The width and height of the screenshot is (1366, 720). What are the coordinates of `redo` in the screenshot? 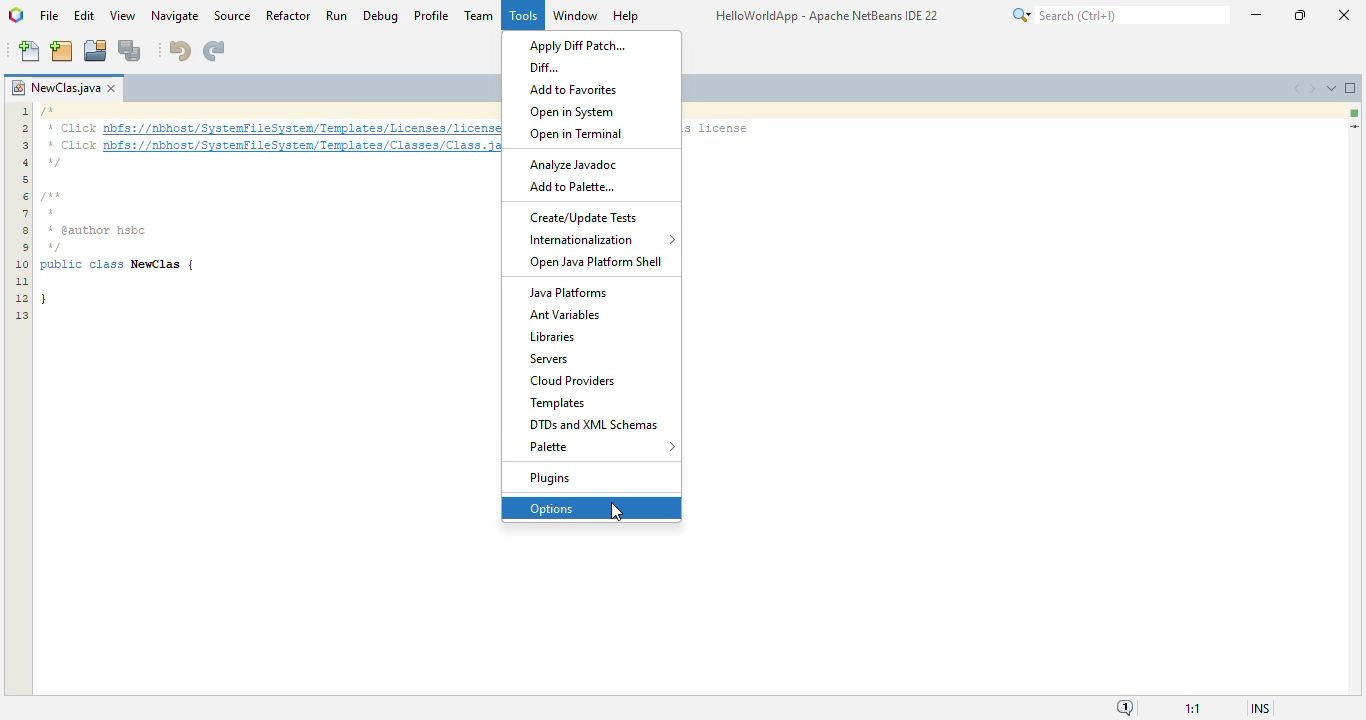 It's located at (215, 51).